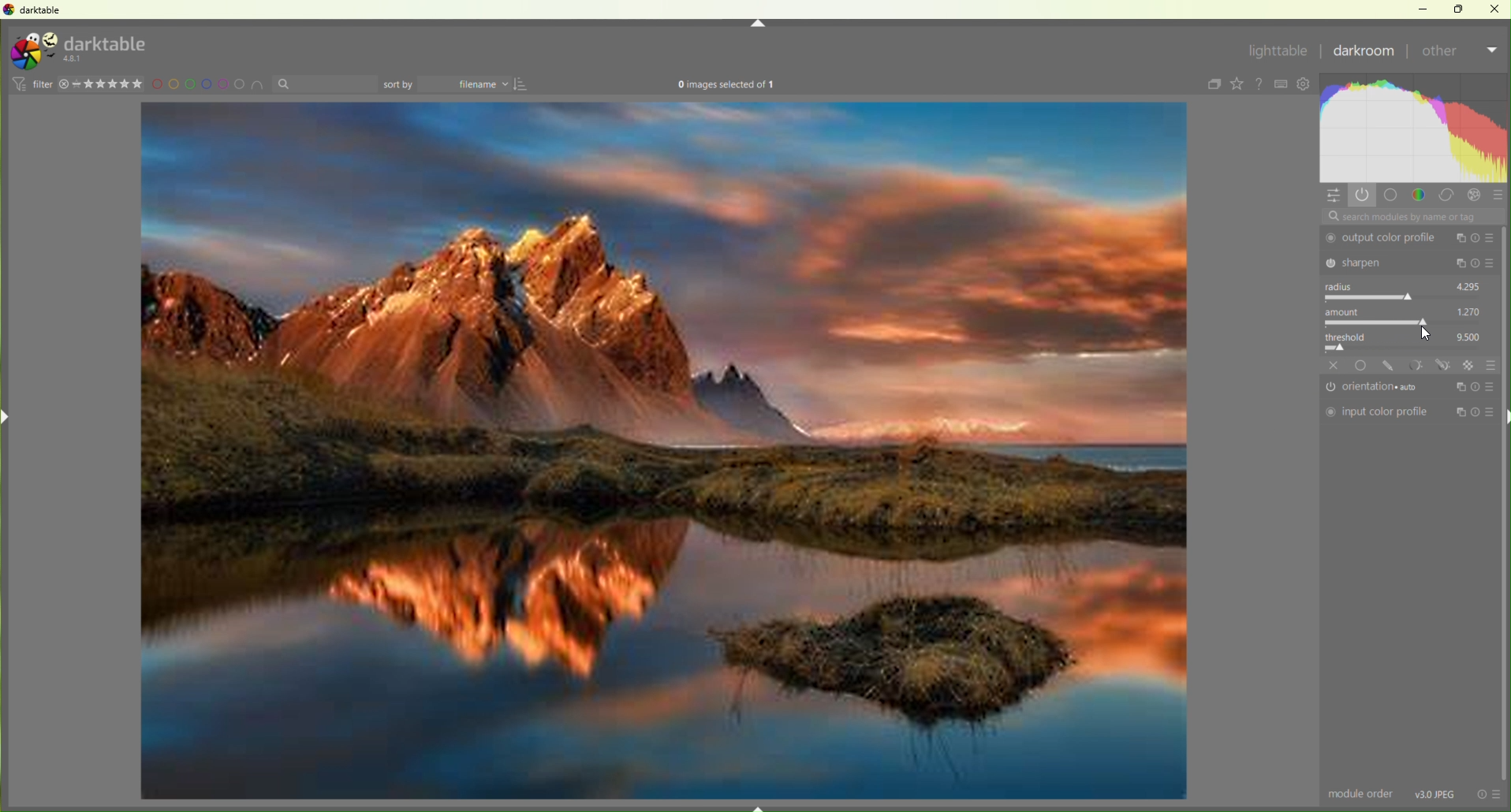  What do you see at coordinates (17, 84) in the screenshot?
I see `icon` at bounding box center [17, 84].